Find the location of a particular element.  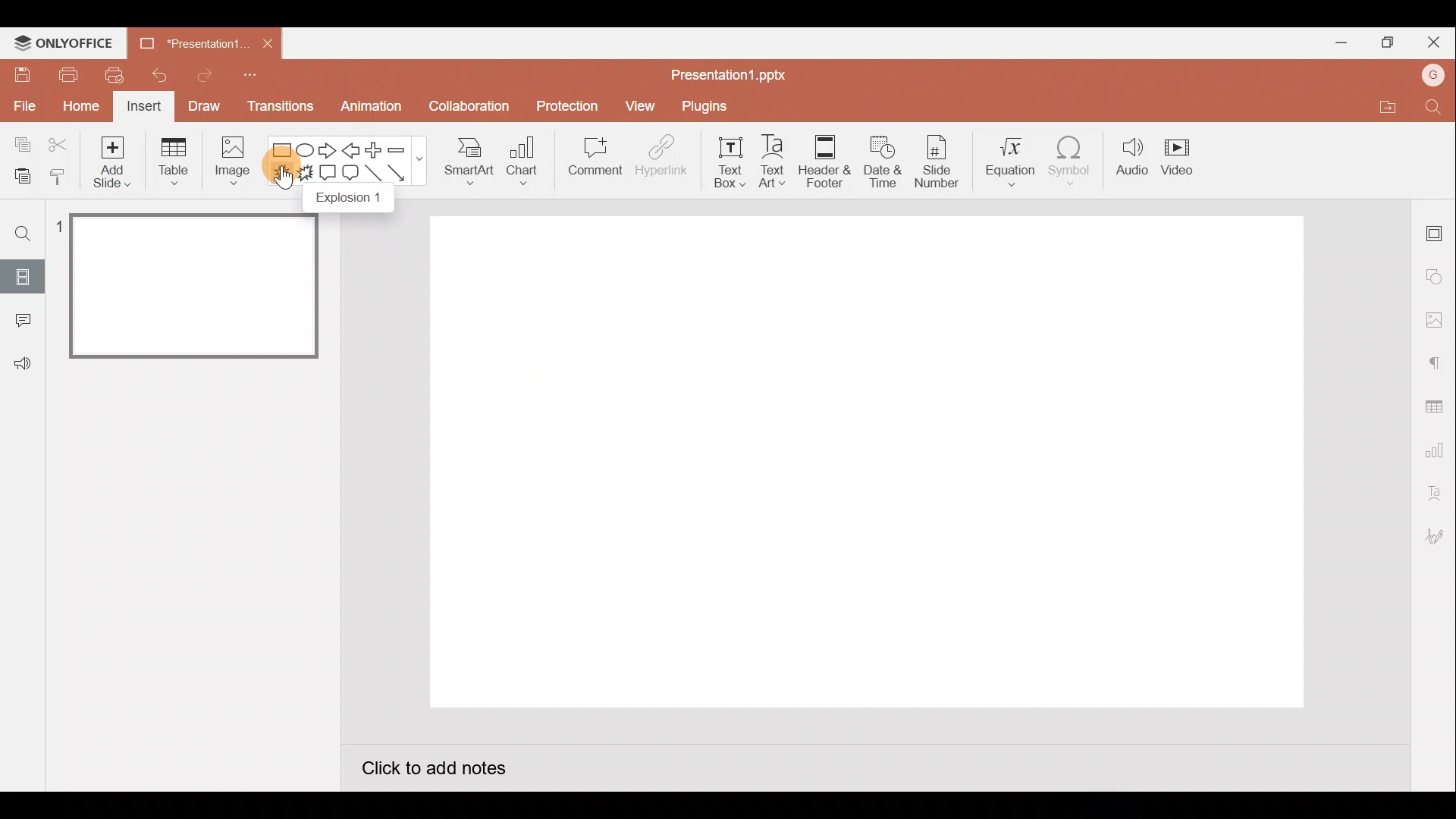

G is located at coordinates (1434, 73).